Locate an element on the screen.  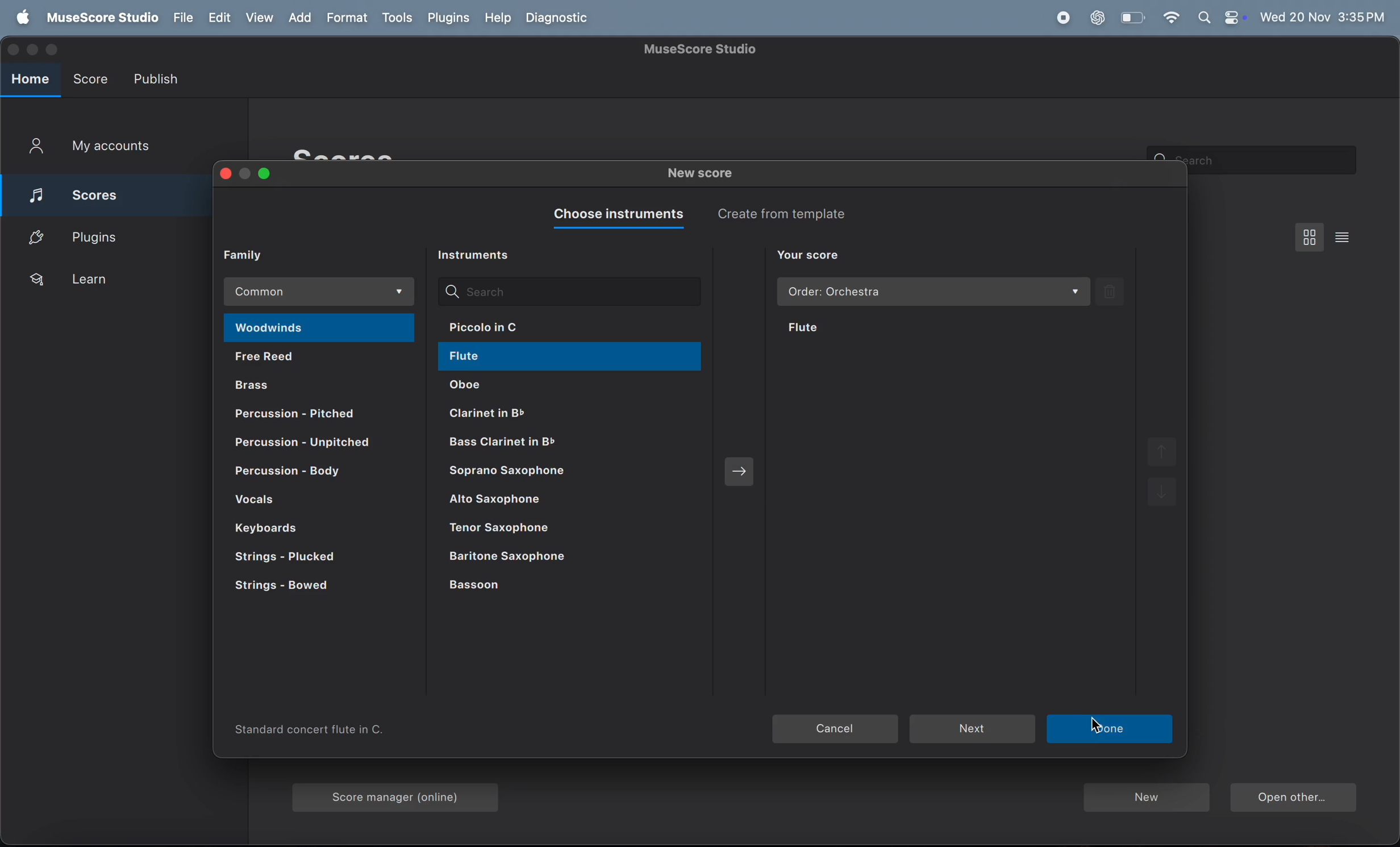
move is located at coordinates (740, 468).